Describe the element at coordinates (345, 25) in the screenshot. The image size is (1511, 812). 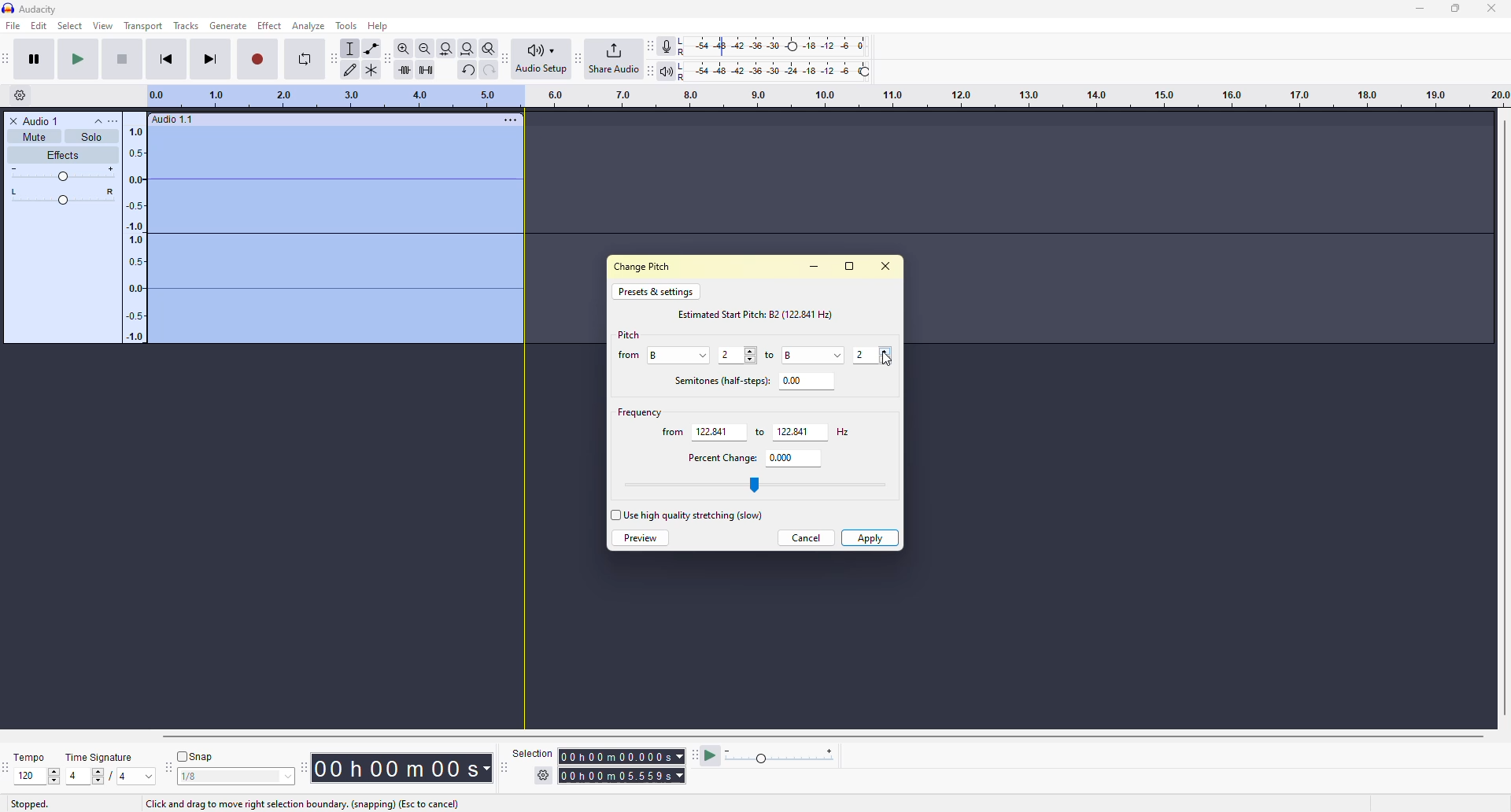
I see `tools` at that location.